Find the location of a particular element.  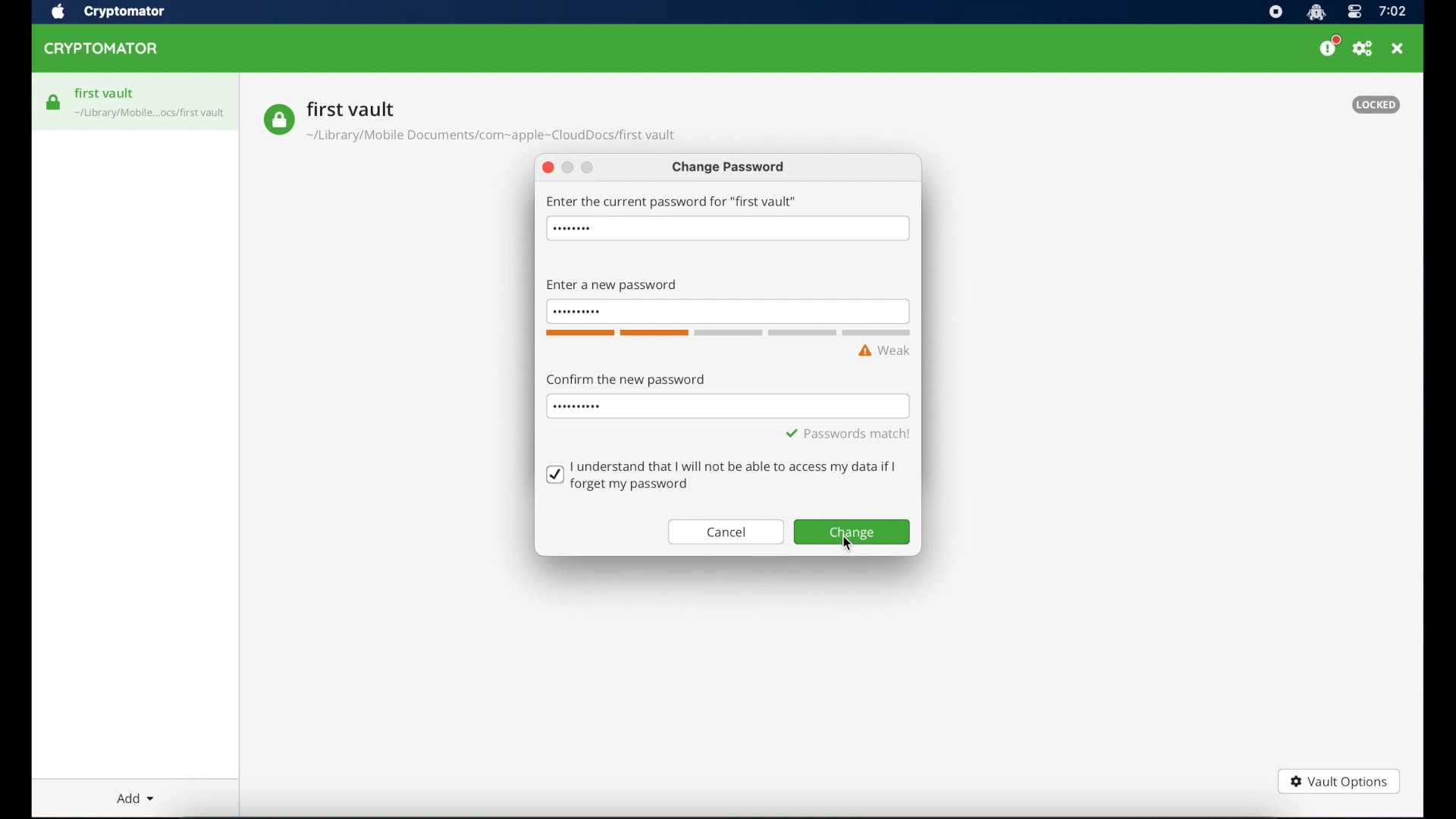

text is located at coordinates (742, 477).